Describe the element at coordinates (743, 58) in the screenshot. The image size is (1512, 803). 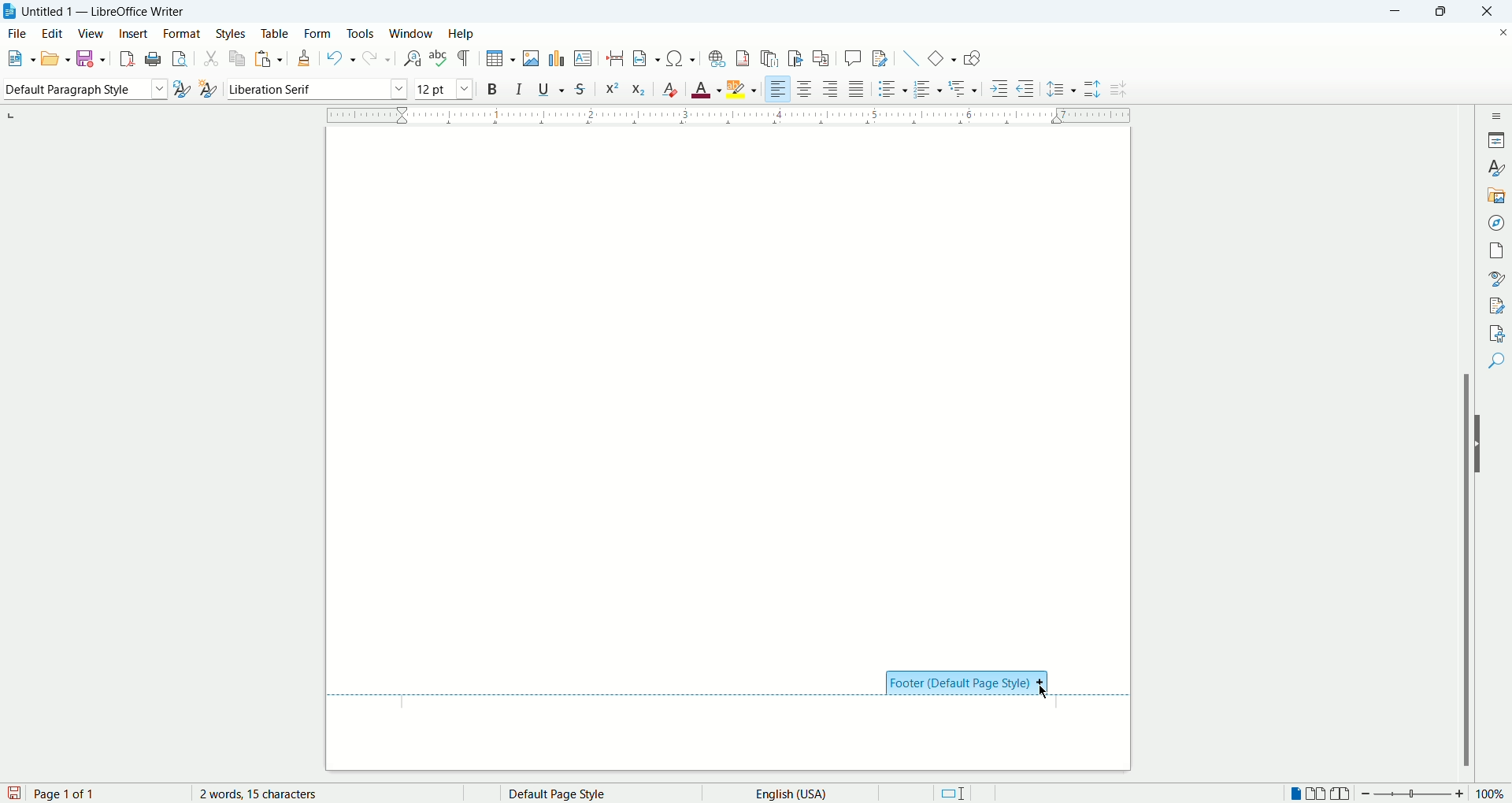
I see `insert footnote` at that location.